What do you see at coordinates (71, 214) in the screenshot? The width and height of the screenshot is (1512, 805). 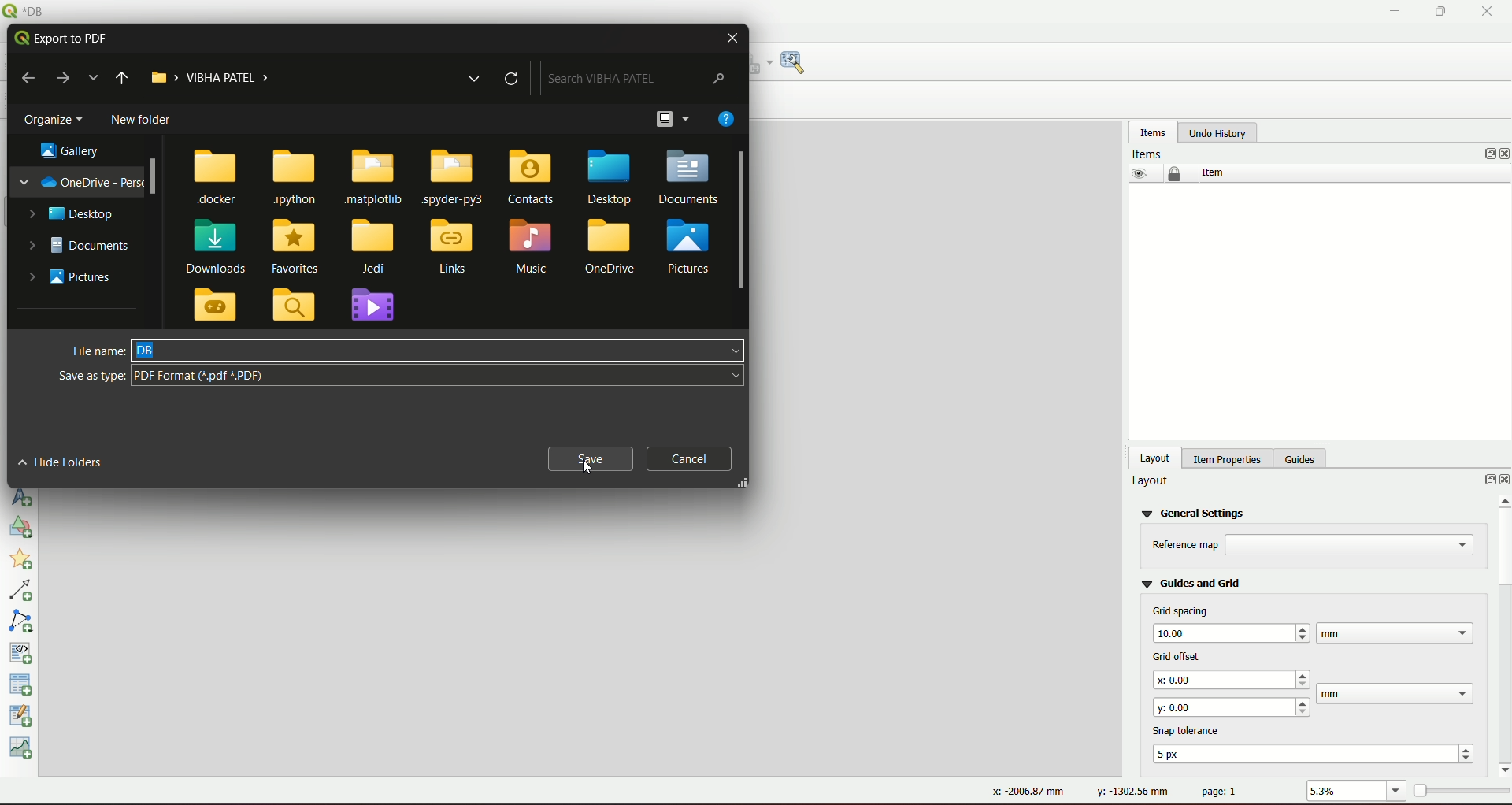 I see `desktop` at bounding box center [71, 214].